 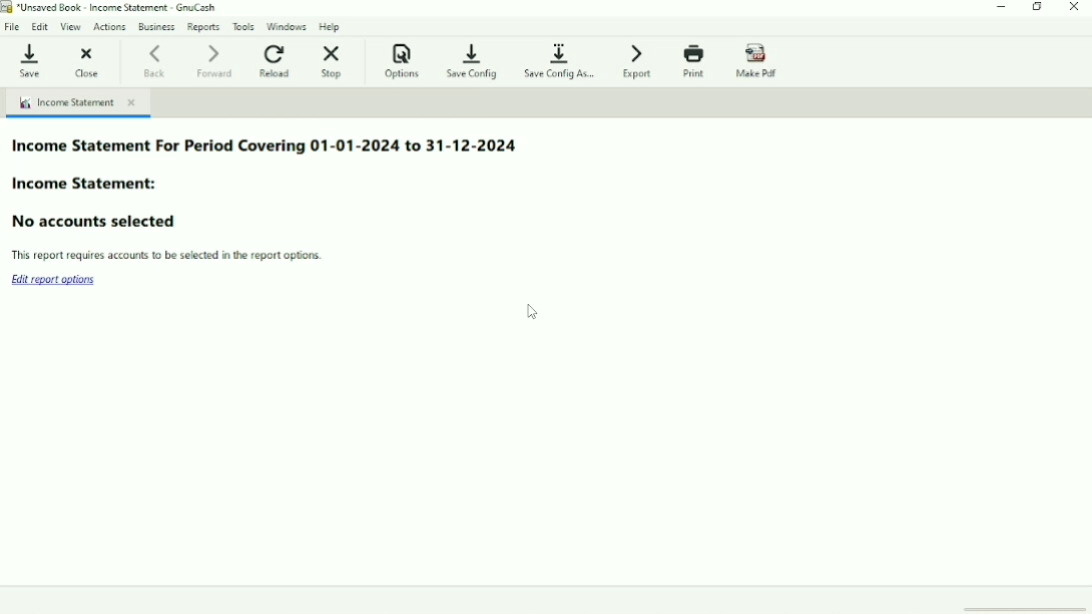 What do you see at coordinates (98, 219) in the screenshot?
I see `No accounts selected` at bounding box center [98, 219].